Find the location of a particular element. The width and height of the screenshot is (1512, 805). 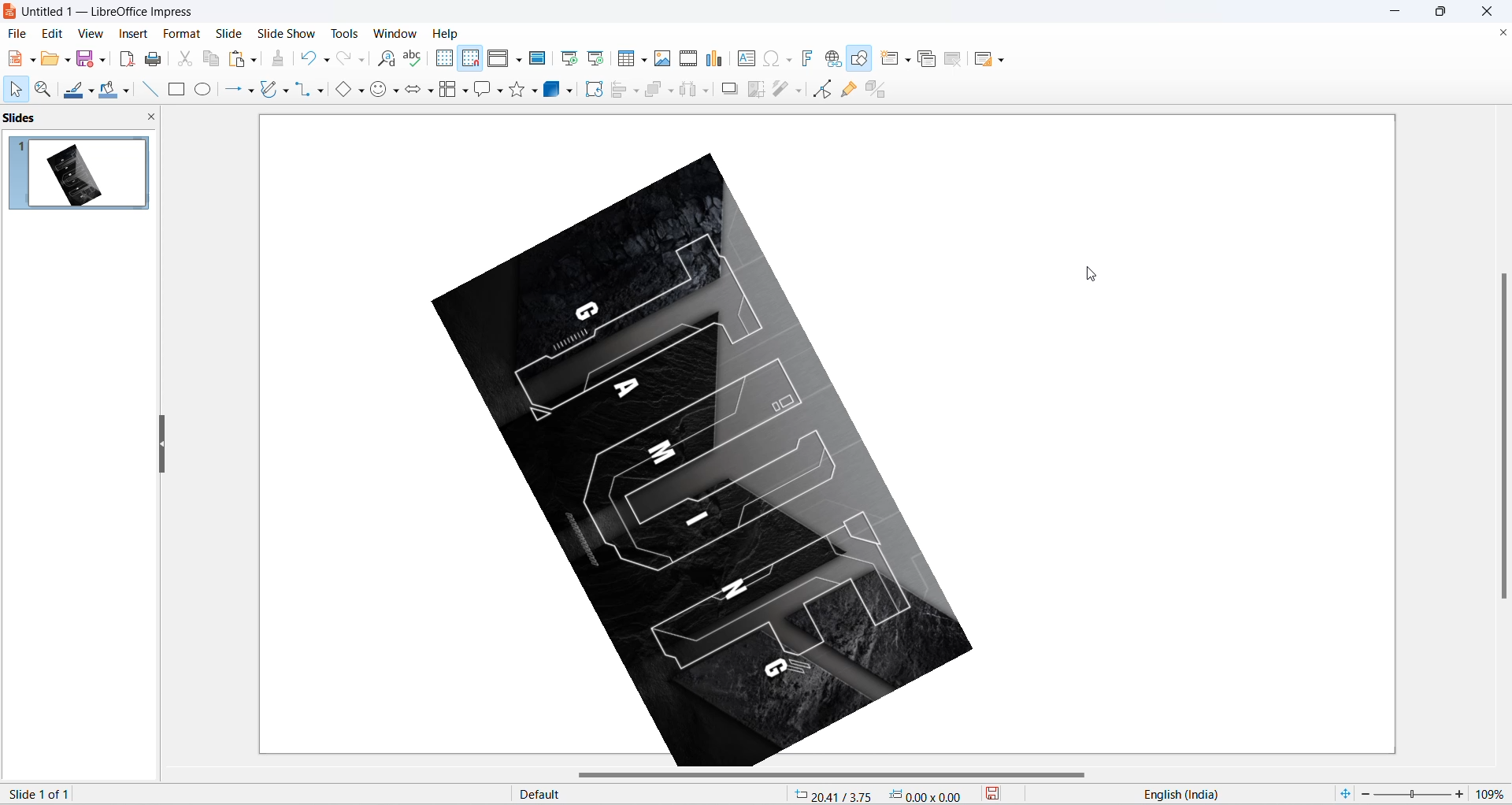

basic shapes options is located at coordinates (360, 90).